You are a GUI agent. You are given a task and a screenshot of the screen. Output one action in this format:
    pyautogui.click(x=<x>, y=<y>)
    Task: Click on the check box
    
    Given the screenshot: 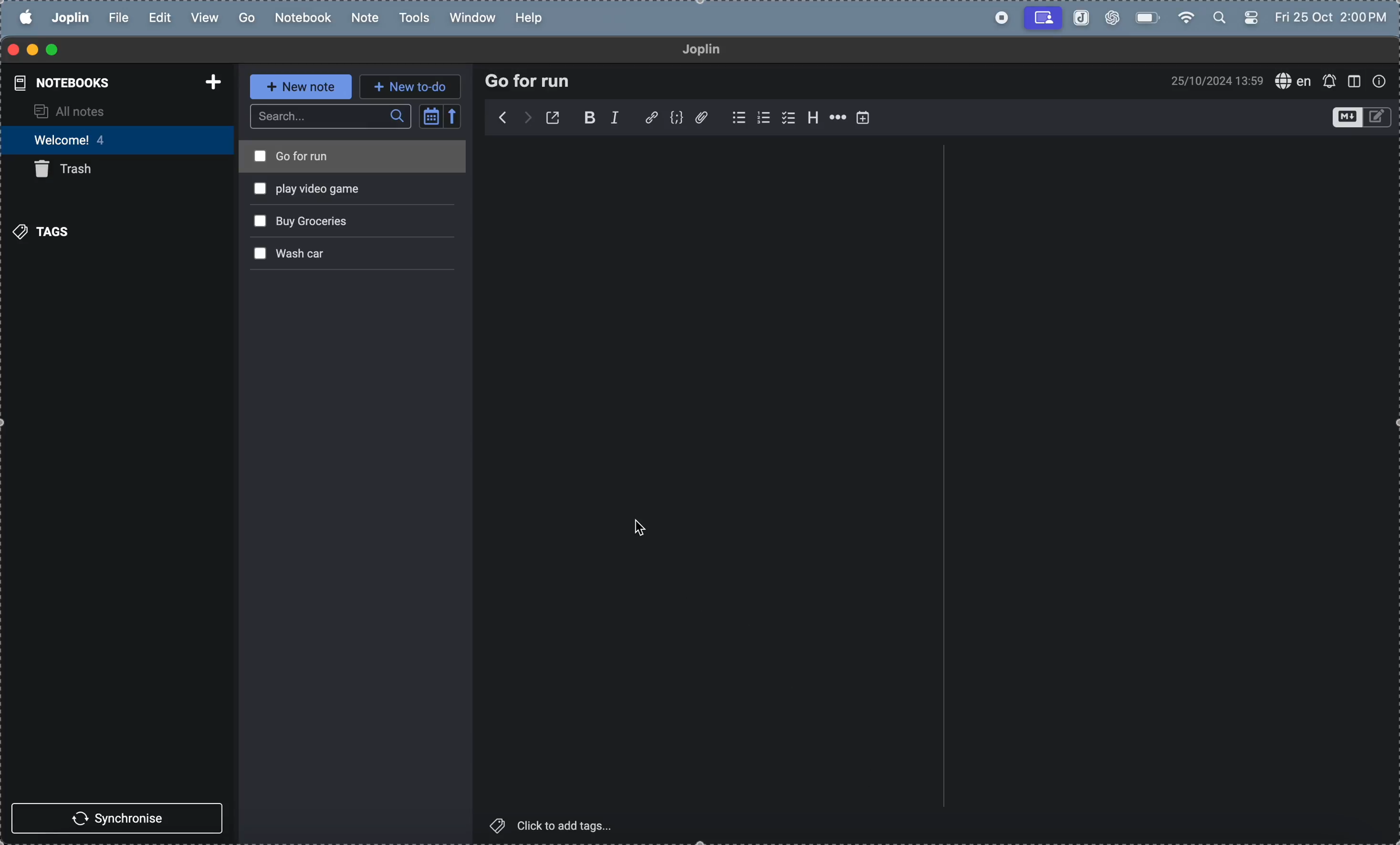 What is the action you would take?
    pyautogui.click(x=792, y=118)
    